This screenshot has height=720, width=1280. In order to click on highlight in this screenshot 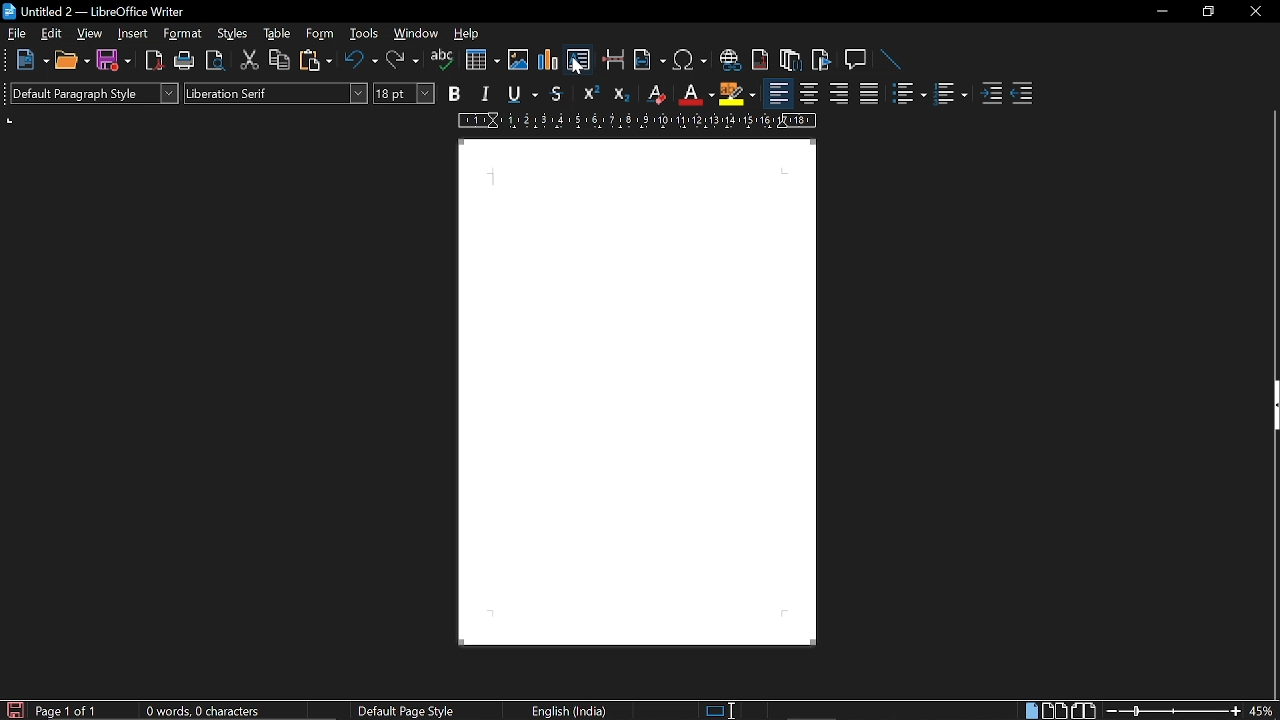, I will do `click(737, 93)`.